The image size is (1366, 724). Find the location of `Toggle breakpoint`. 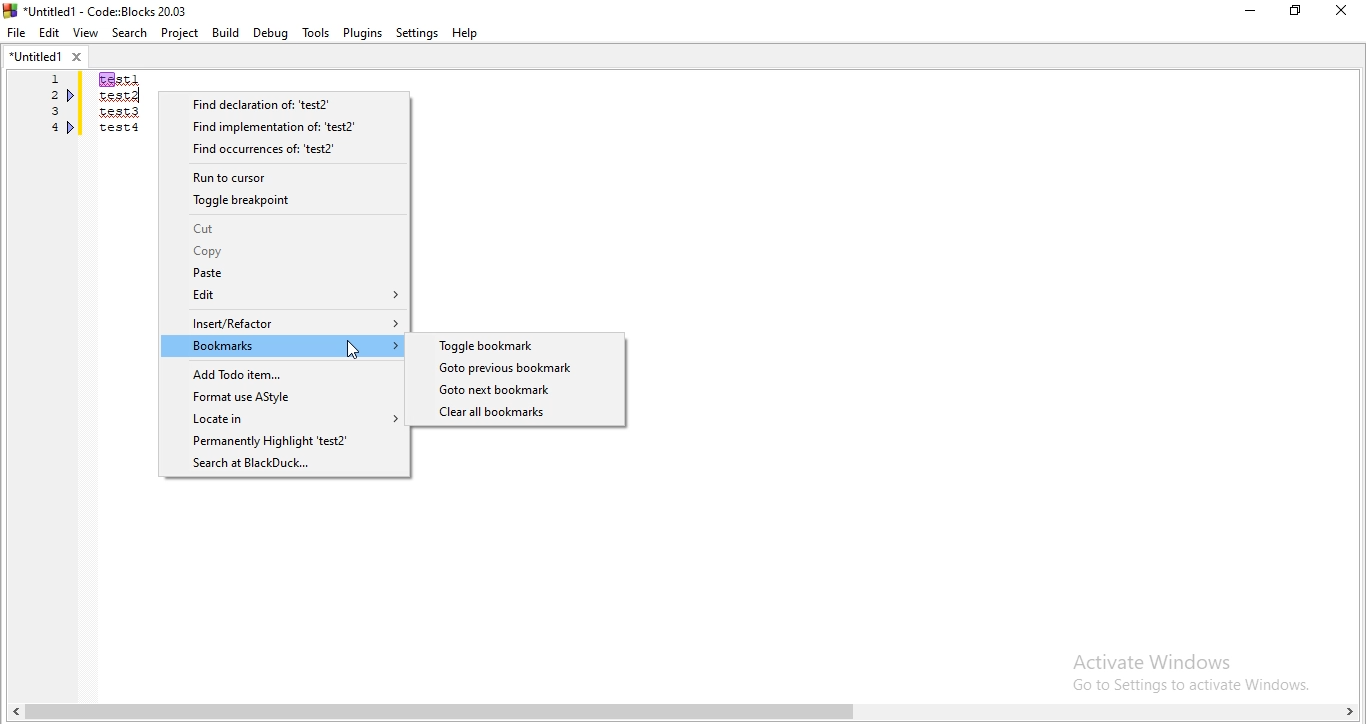

Toggle breakpoint is located at coordinates (285, 199).